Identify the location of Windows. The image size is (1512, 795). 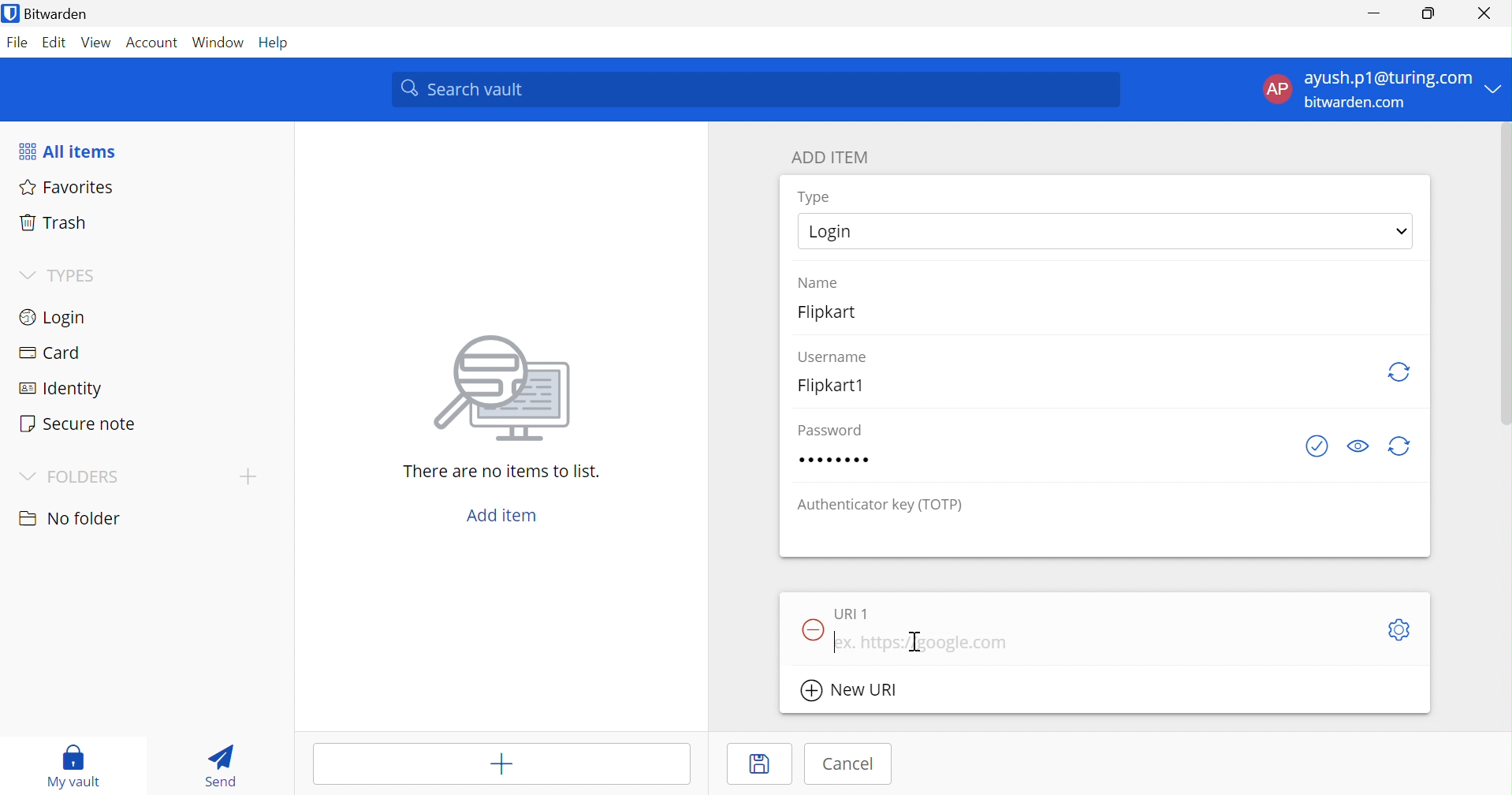
(220, 43).